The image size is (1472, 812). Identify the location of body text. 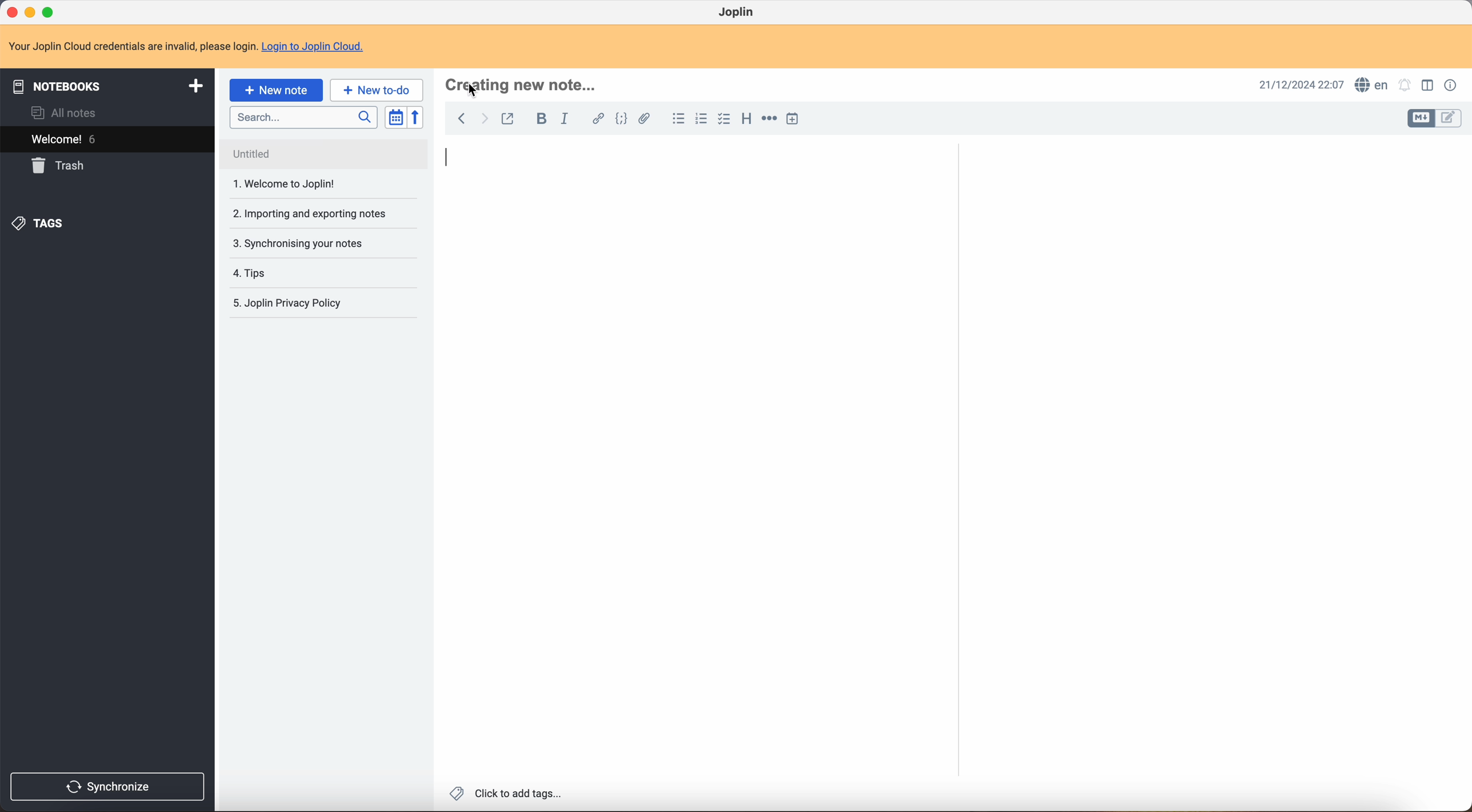
(690, 479).